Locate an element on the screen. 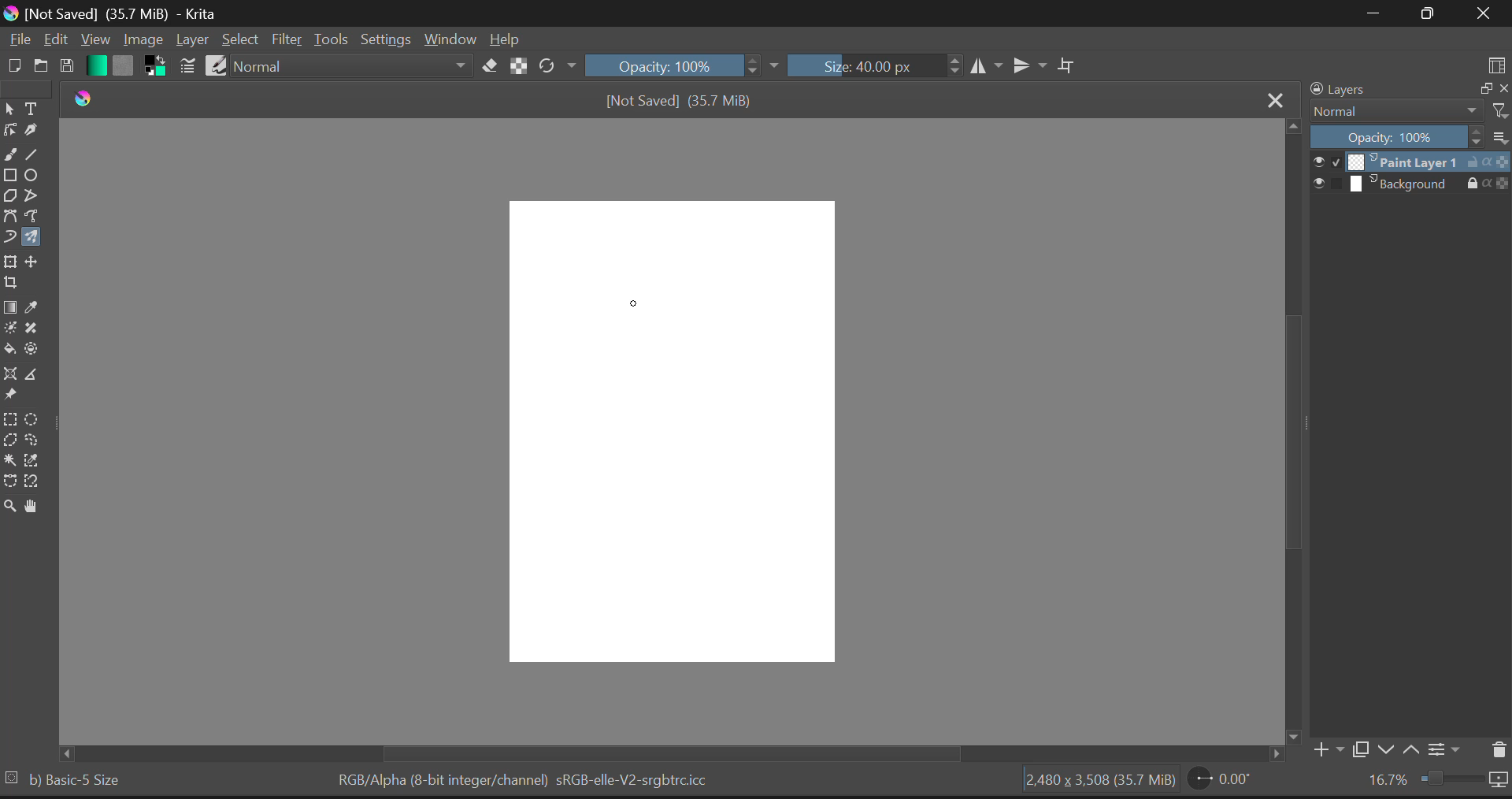 Image resolution: width=1512 pixels, height=799 pixels. Tools is located at coordinates (332, 40).